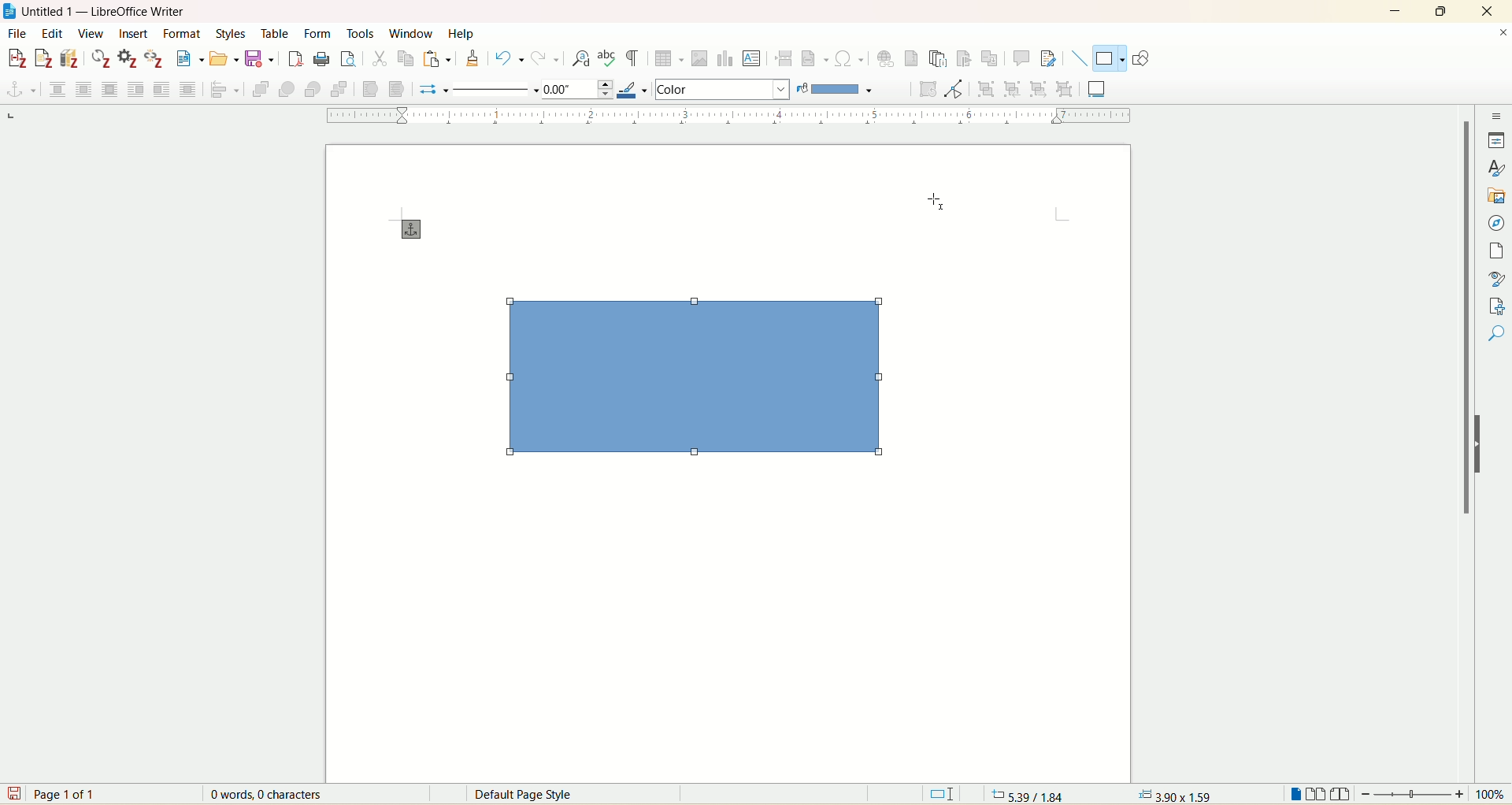 The image size is (1512, 805). Describe the element at coordinates (632, 59) in the screenshot. I see `toggle formatting` at that location.